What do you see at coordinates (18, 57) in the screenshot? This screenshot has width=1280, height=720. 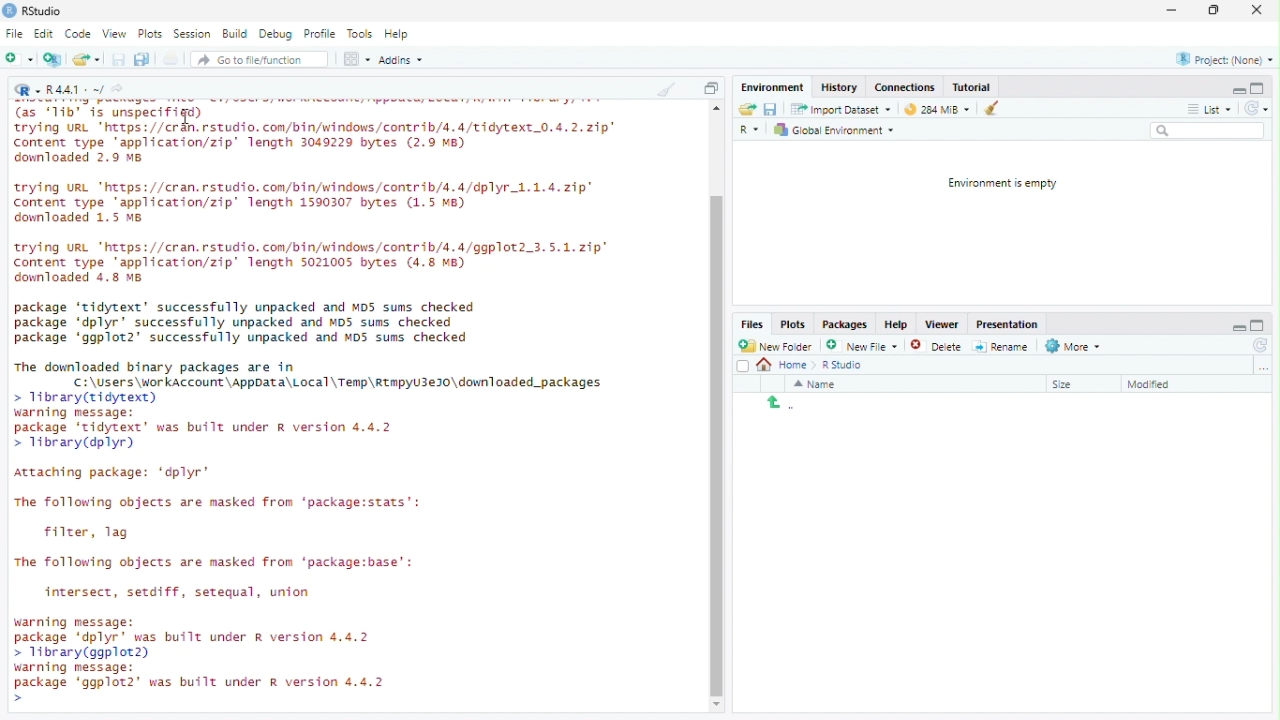 I see `Add new file` at bounding box center [18, 57].